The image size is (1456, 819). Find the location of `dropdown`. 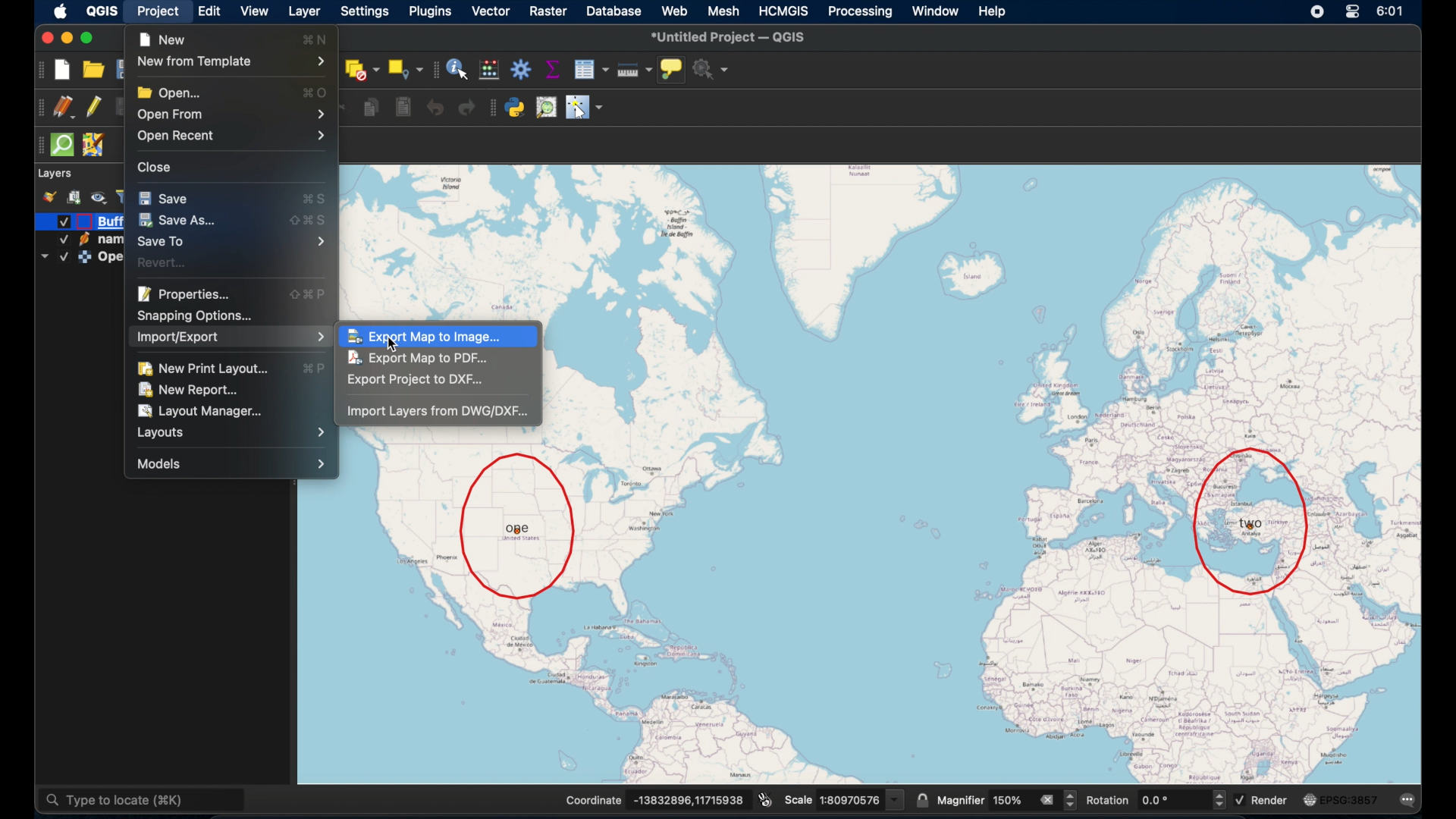

dropdown is located at coordinates (43, 257).